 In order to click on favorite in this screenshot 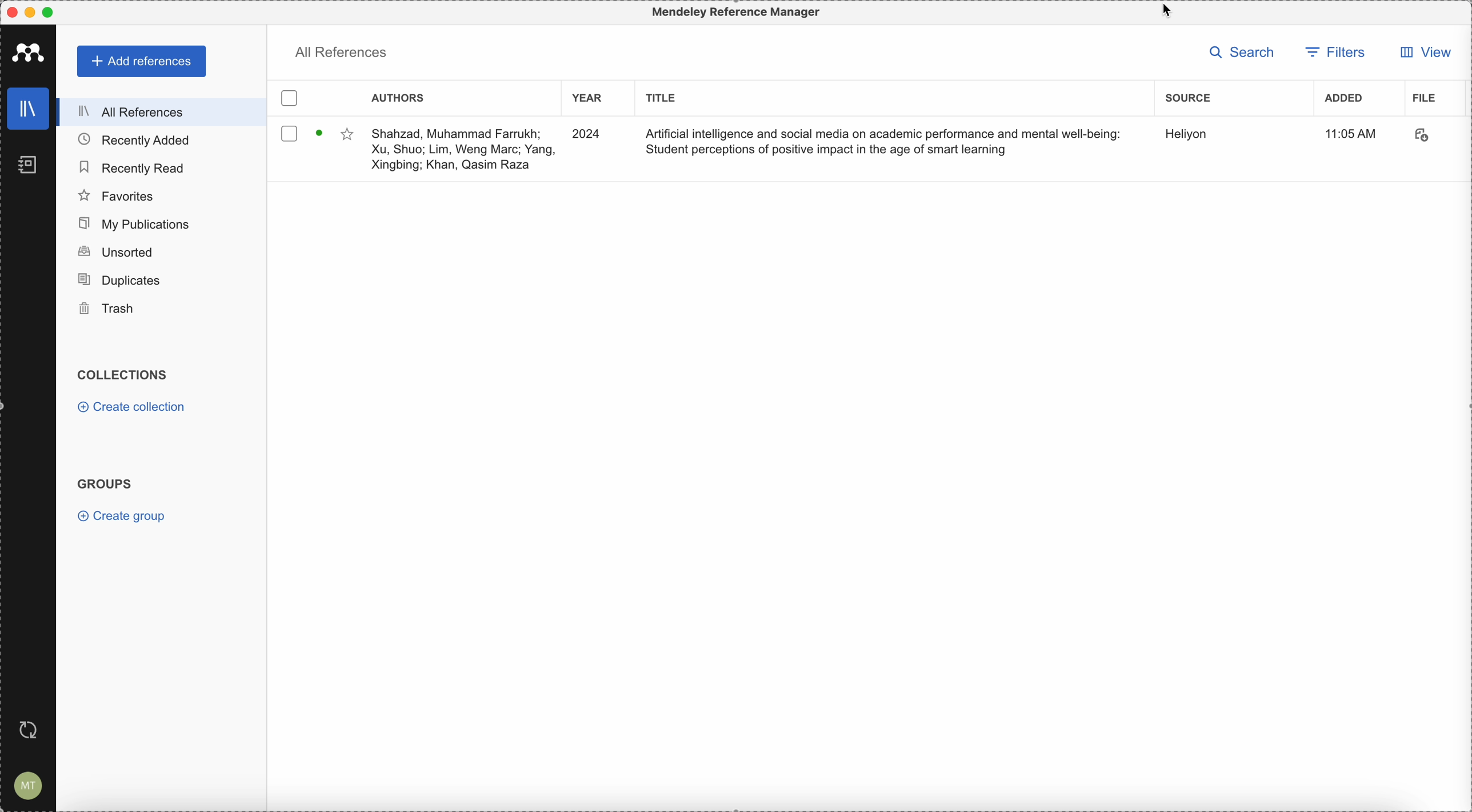, I will do `click(347, 135)`.